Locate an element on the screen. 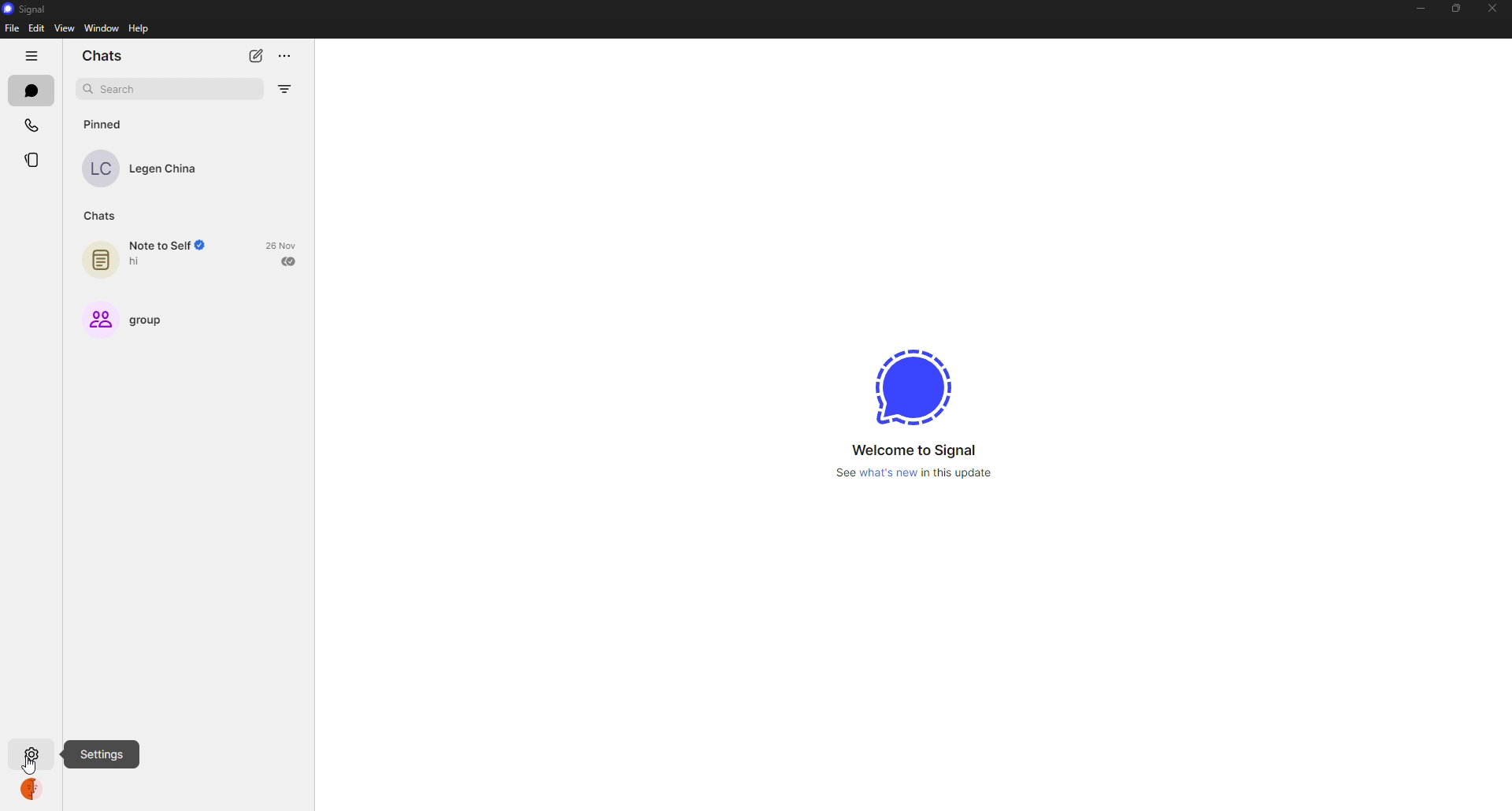  note to self is located at coordinates (151, 257).